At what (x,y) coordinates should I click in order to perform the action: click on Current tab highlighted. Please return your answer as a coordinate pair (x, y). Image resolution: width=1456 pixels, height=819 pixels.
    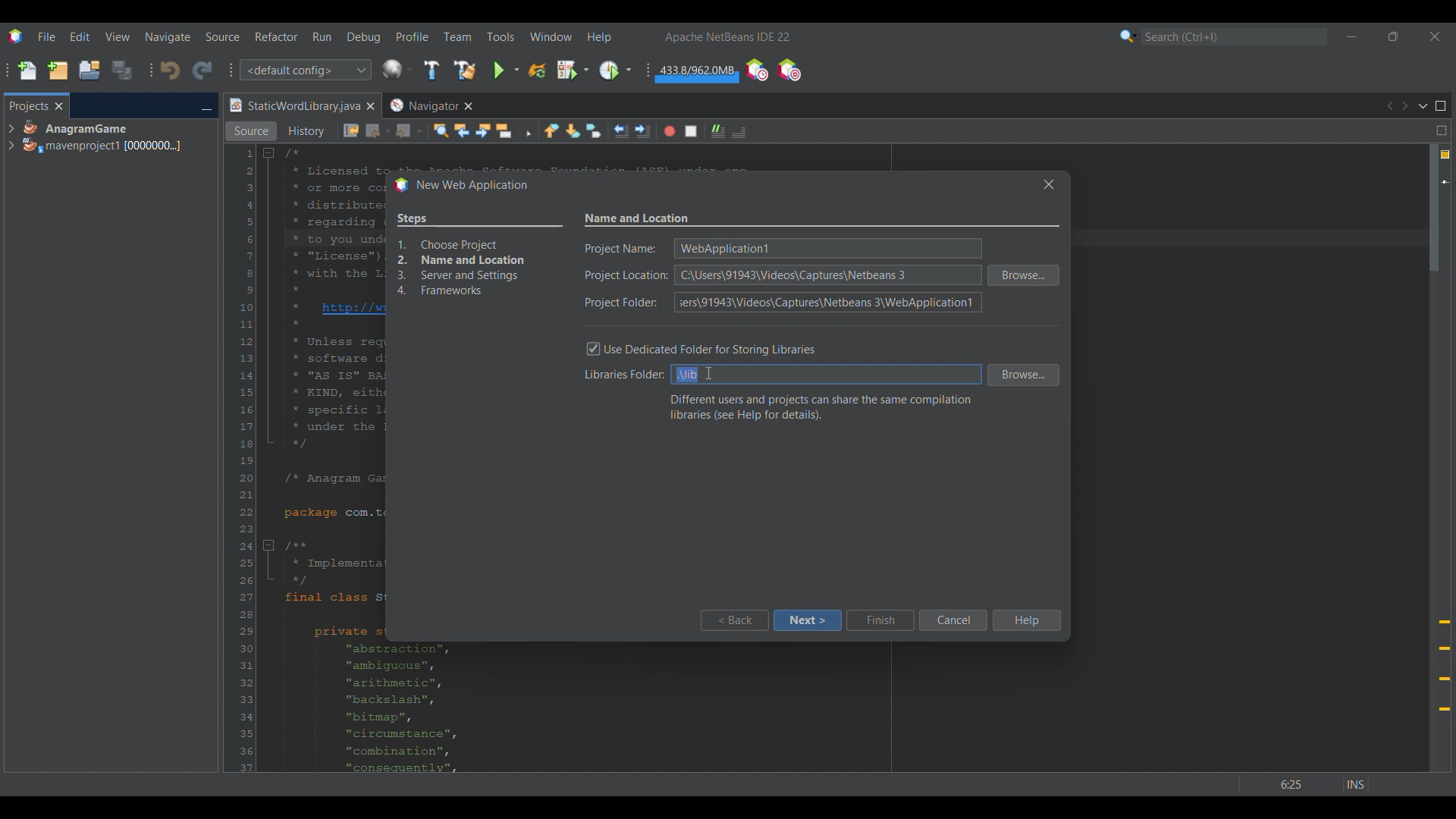
    Looking at the image, I should click on (293, 106).